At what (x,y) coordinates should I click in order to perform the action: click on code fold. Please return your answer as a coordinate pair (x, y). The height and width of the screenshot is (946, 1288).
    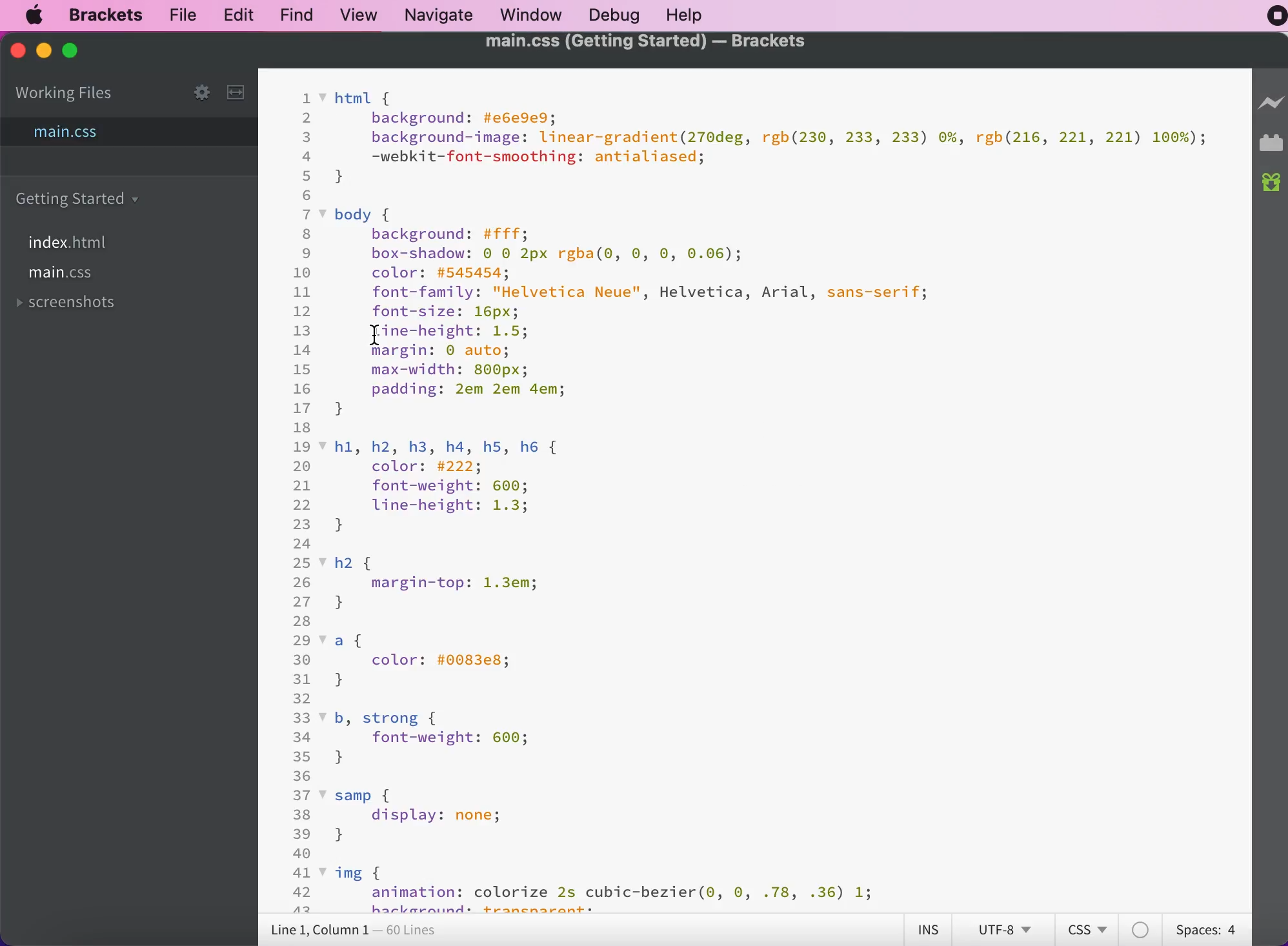
    Looking at the image, I should click on (323, 97).